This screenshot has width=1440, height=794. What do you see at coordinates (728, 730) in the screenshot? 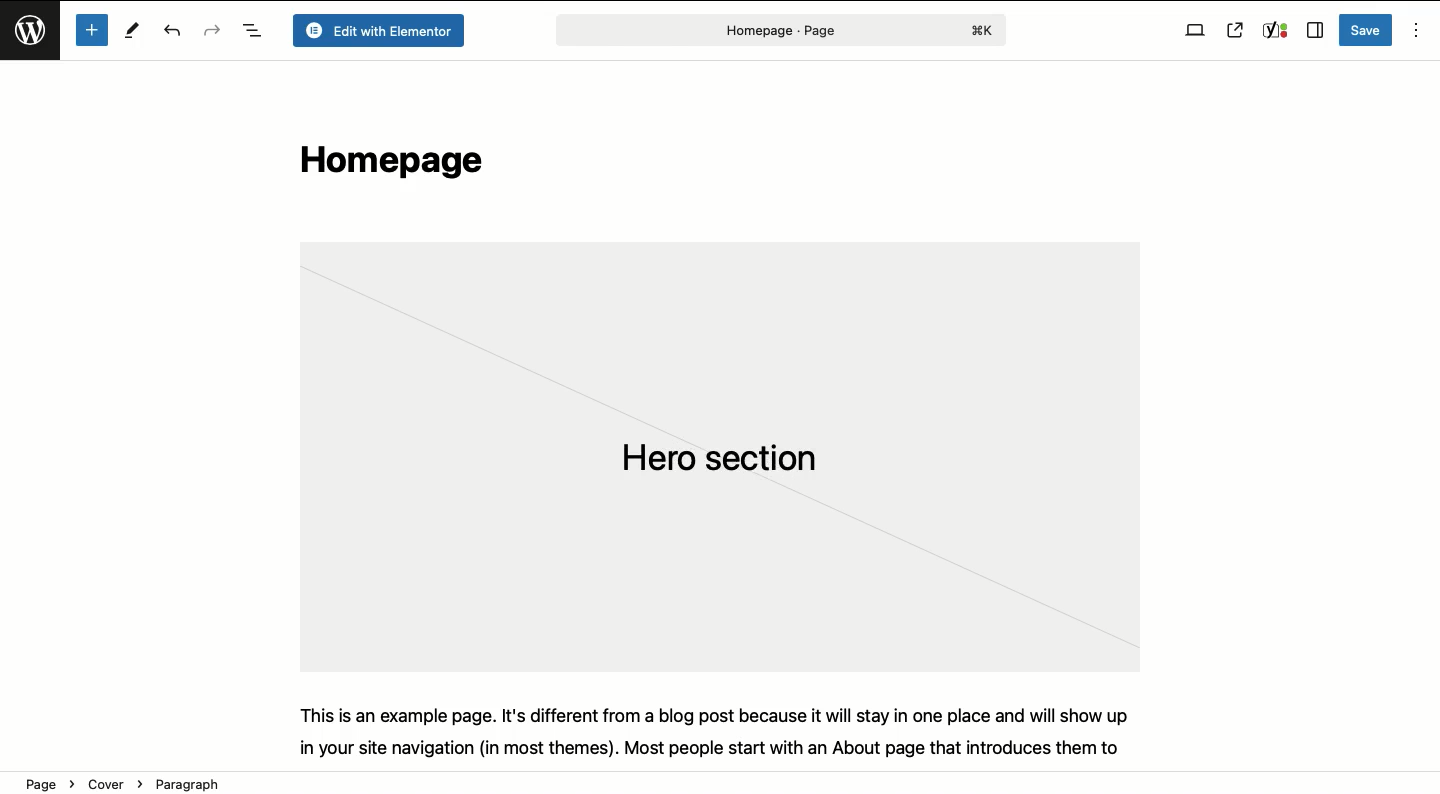
I see `This is an example page. It's different from a blog post because it will stay in one place and will show up
in your site navigation (in most themes). Most people start with an About page that introduces them to` at bounding box center [728, 730].